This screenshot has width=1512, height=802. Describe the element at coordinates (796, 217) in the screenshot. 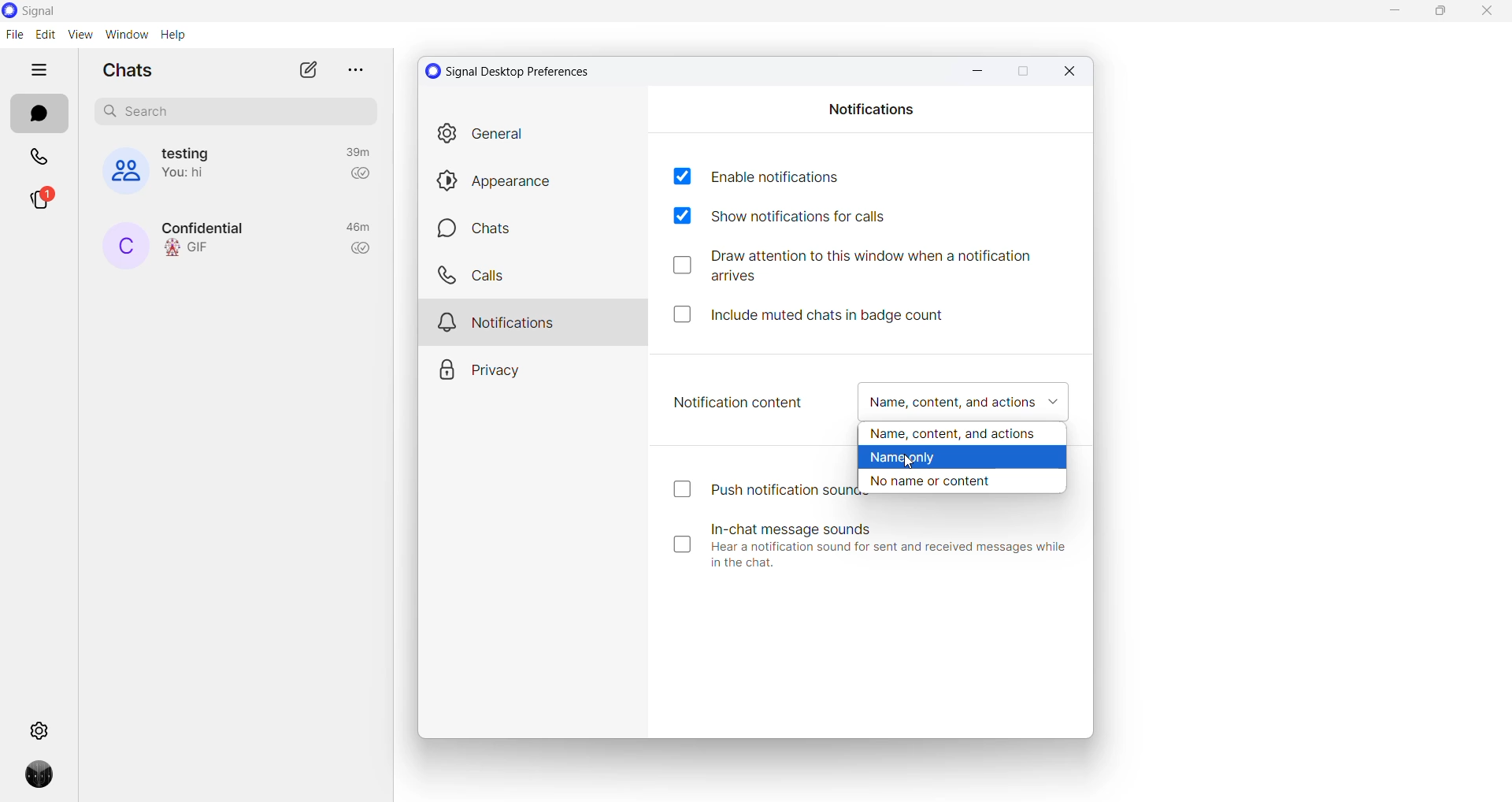

I see `show notifications for call checkbox` at that location.